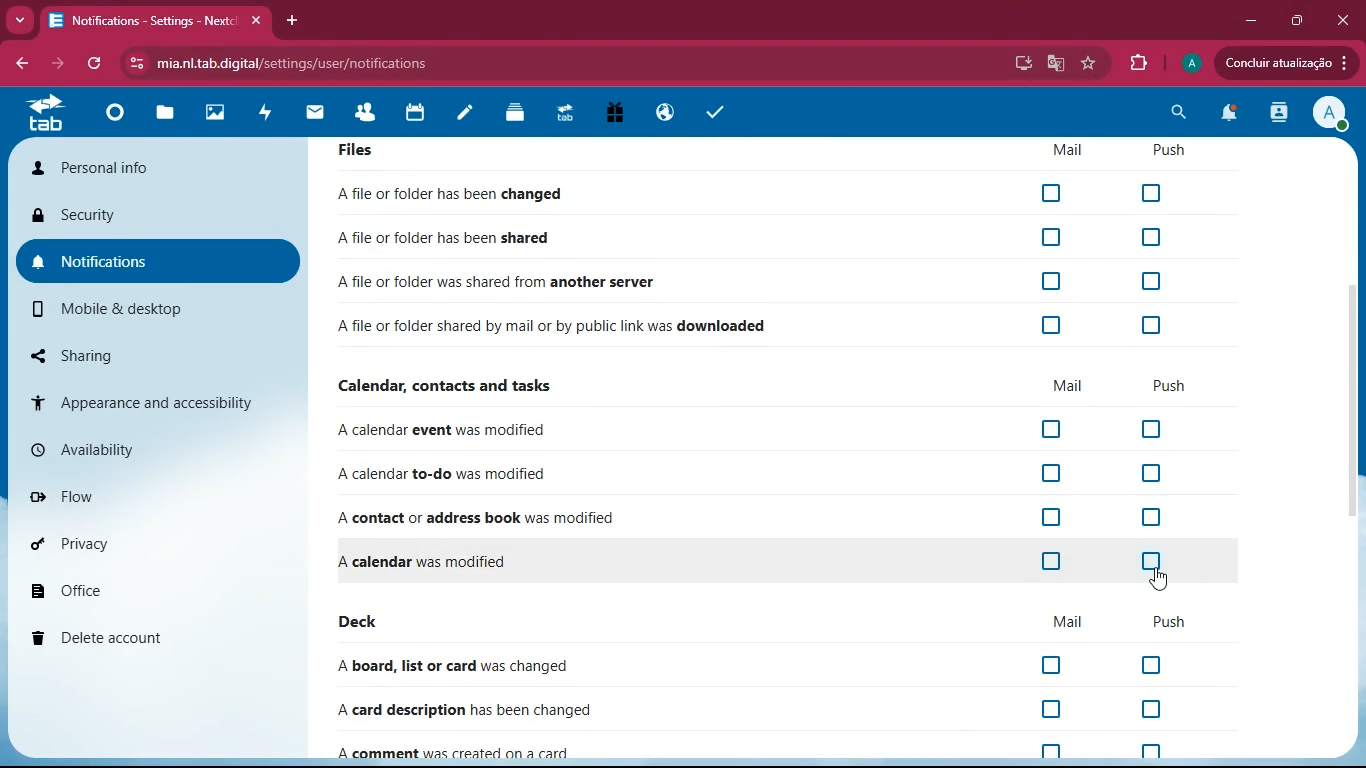  What do you see at coordinates (669, 113) in the screenshot?
I see `public` at bounding box center [669, 113].